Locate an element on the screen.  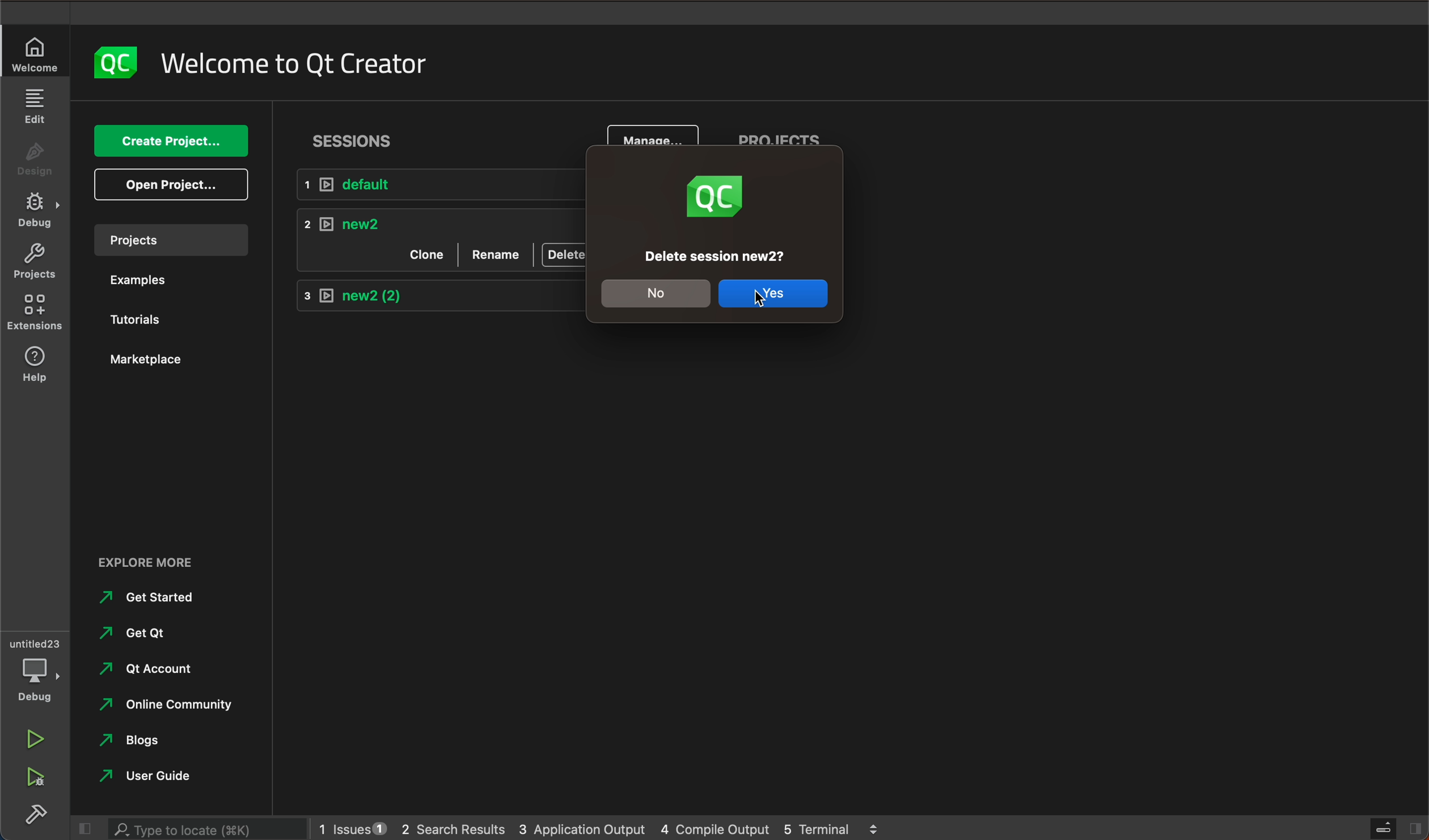
EXPLORE MORE is located at coordinates (147, 561).